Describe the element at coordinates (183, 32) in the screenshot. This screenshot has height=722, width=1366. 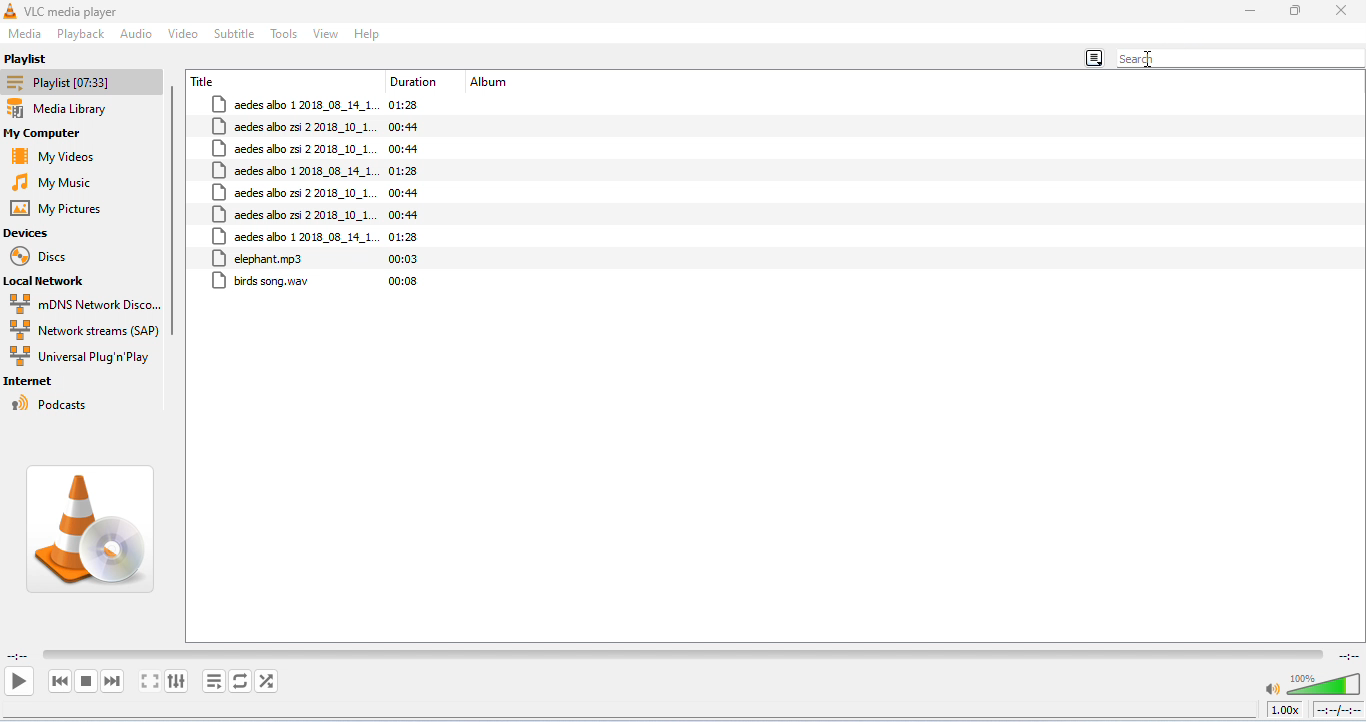
I see `video` at that location.